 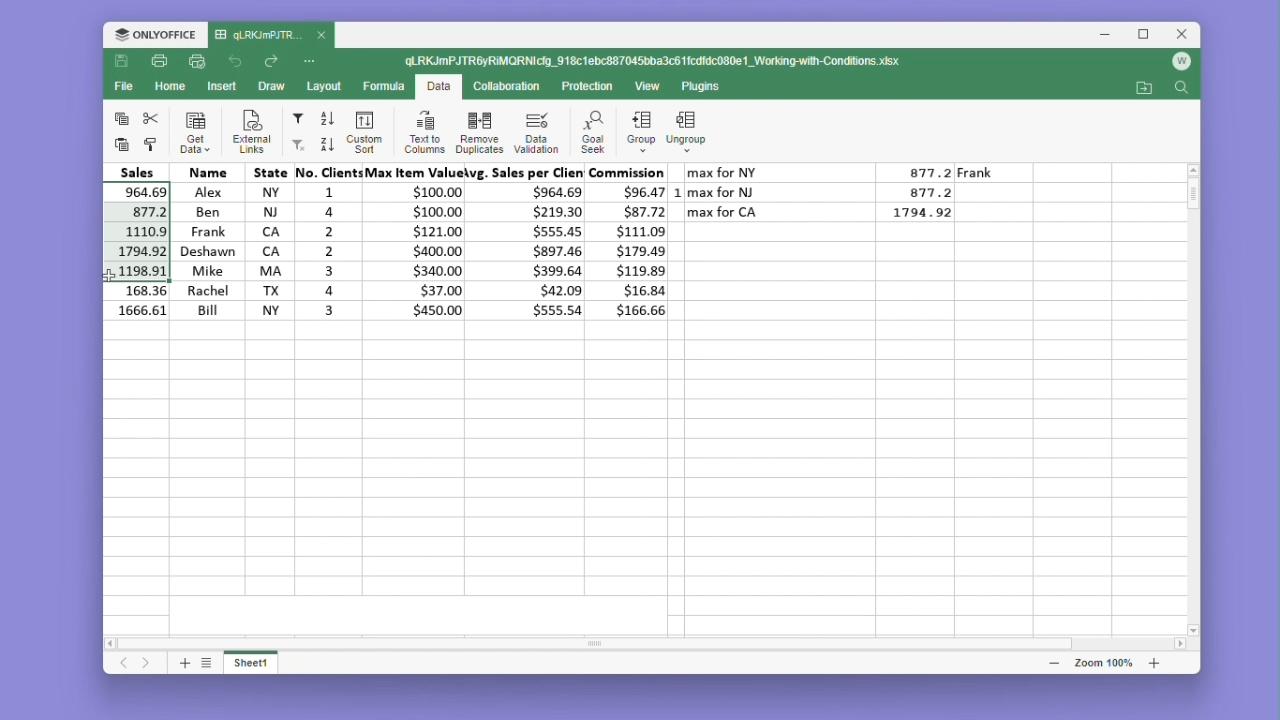 What do you see at coordinates (271, 62) in the screenshot?
I see `Go forward` at bounding box center [271, 62].